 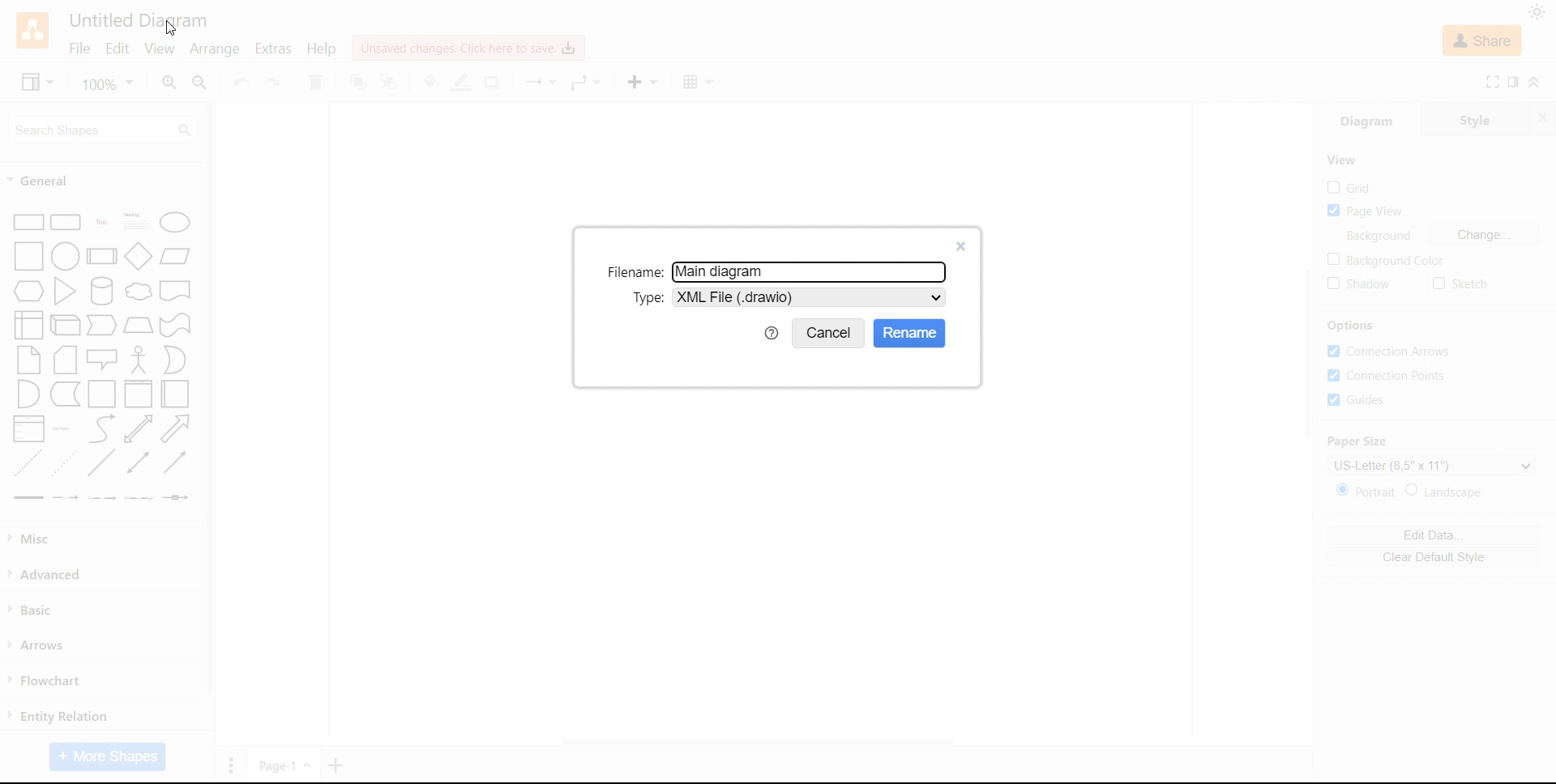 What do you see at coordinates (357, 82) in the screenshot?
I see `Bring to front ` at bounding box center [357, 82].